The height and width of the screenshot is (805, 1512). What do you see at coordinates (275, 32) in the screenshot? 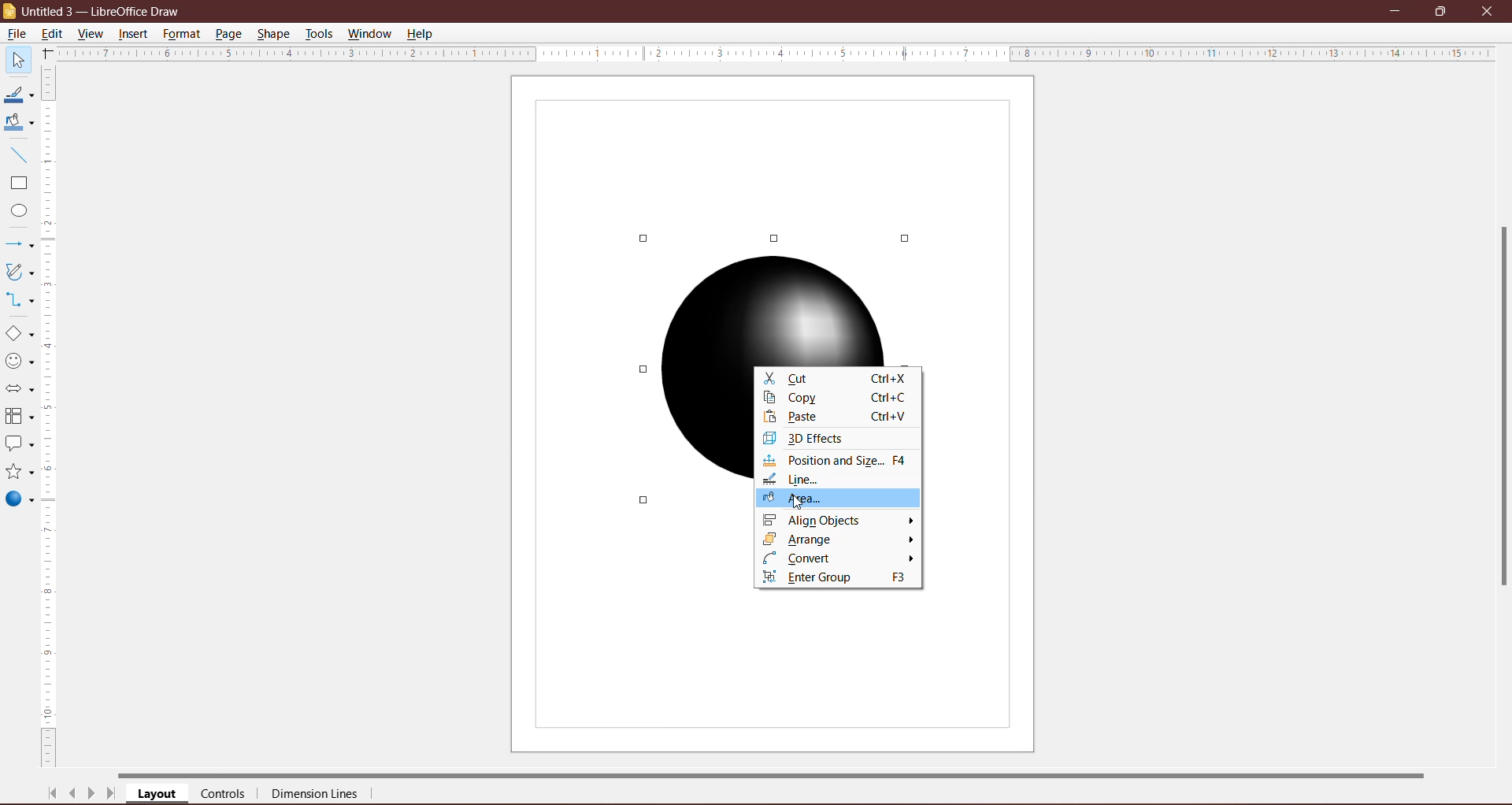
I see `Shape` at bounding box center [275, 32].